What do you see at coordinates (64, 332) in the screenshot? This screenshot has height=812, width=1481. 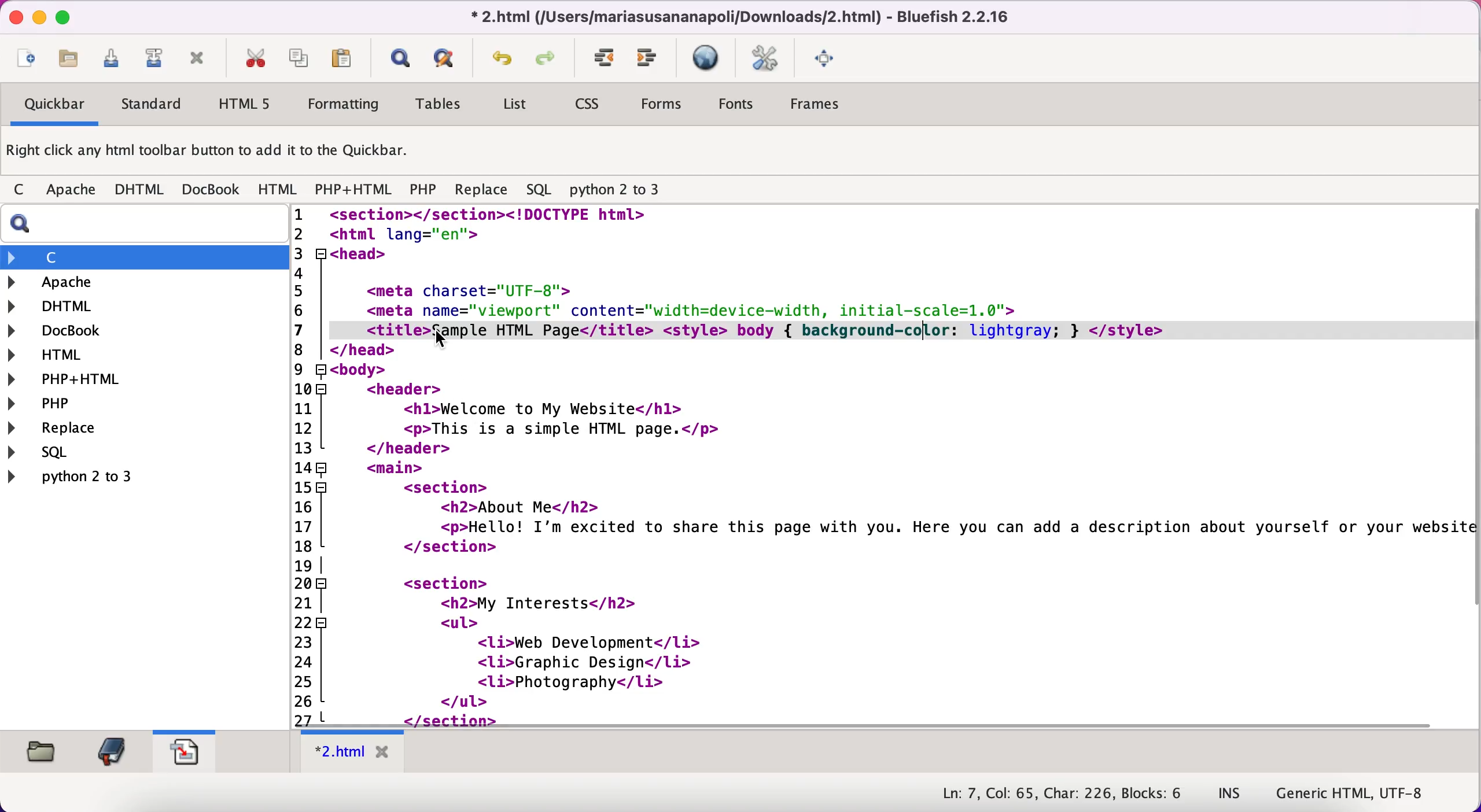 I see `docbook` at bounding box center [64, 332].